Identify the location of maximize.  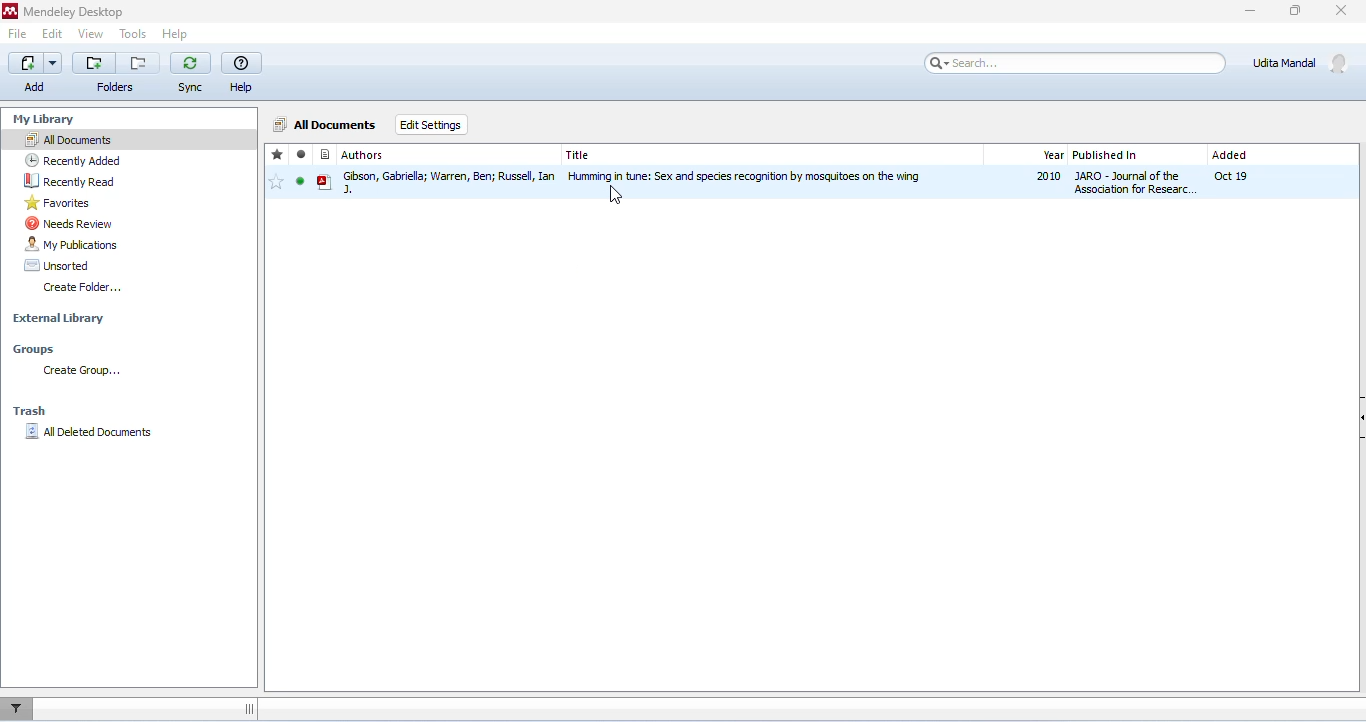
(1293, 11).